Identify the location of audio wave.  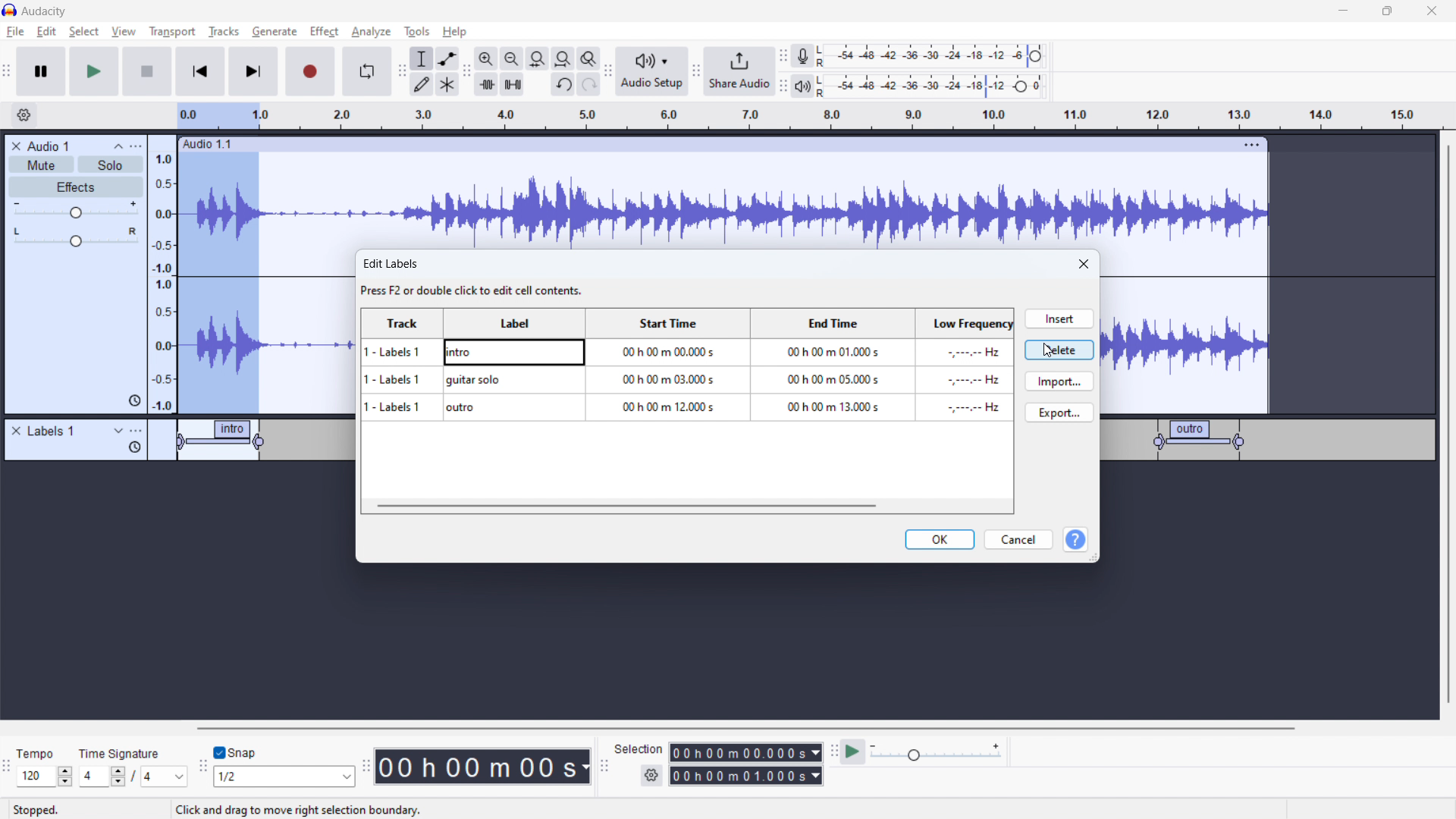
(268, 332).